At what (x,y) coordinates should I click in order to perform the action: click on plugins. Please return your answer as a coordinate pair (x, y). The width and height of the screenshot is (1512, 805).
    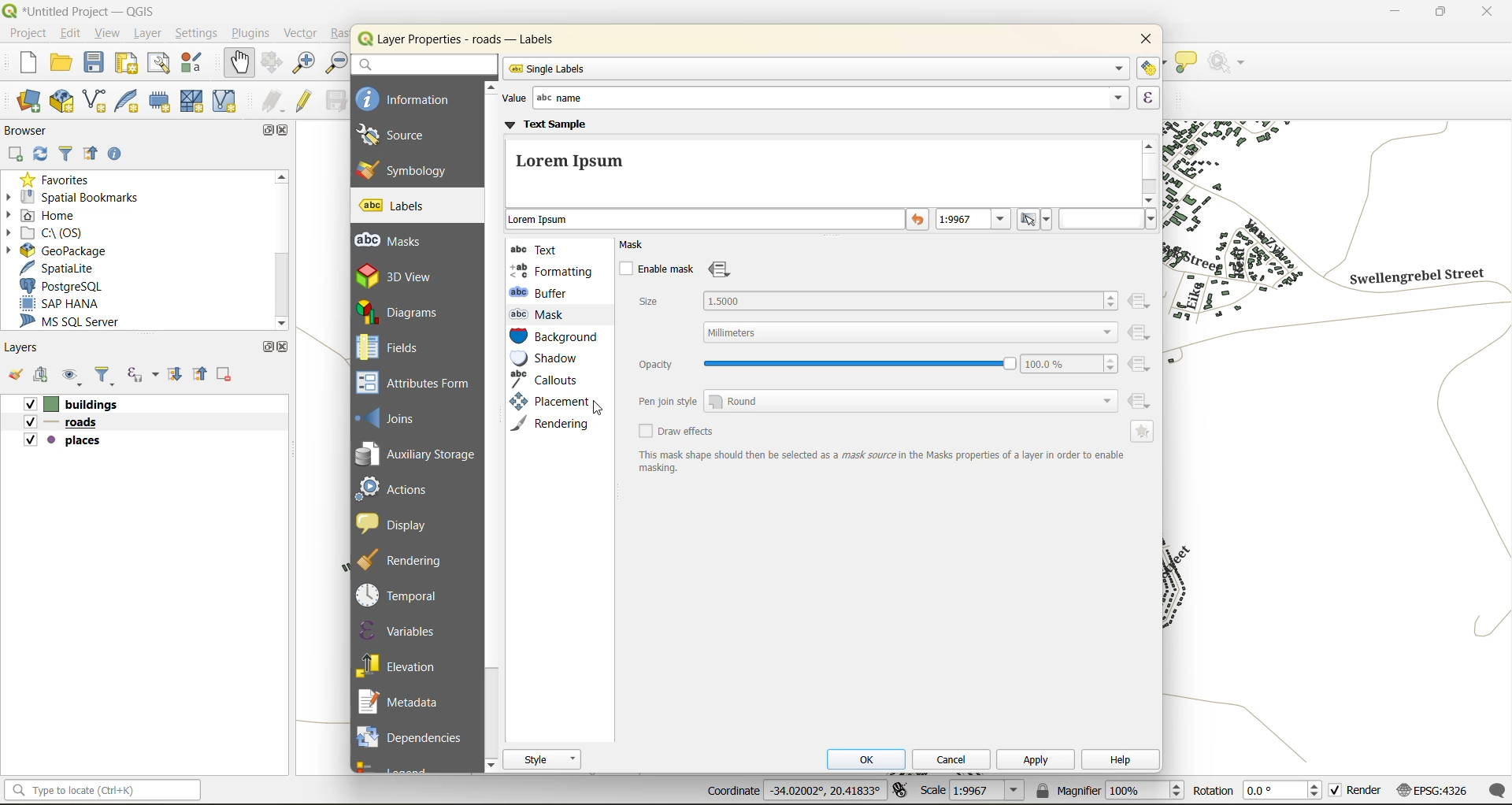
    Looking at the image, I should click on (251, 35).